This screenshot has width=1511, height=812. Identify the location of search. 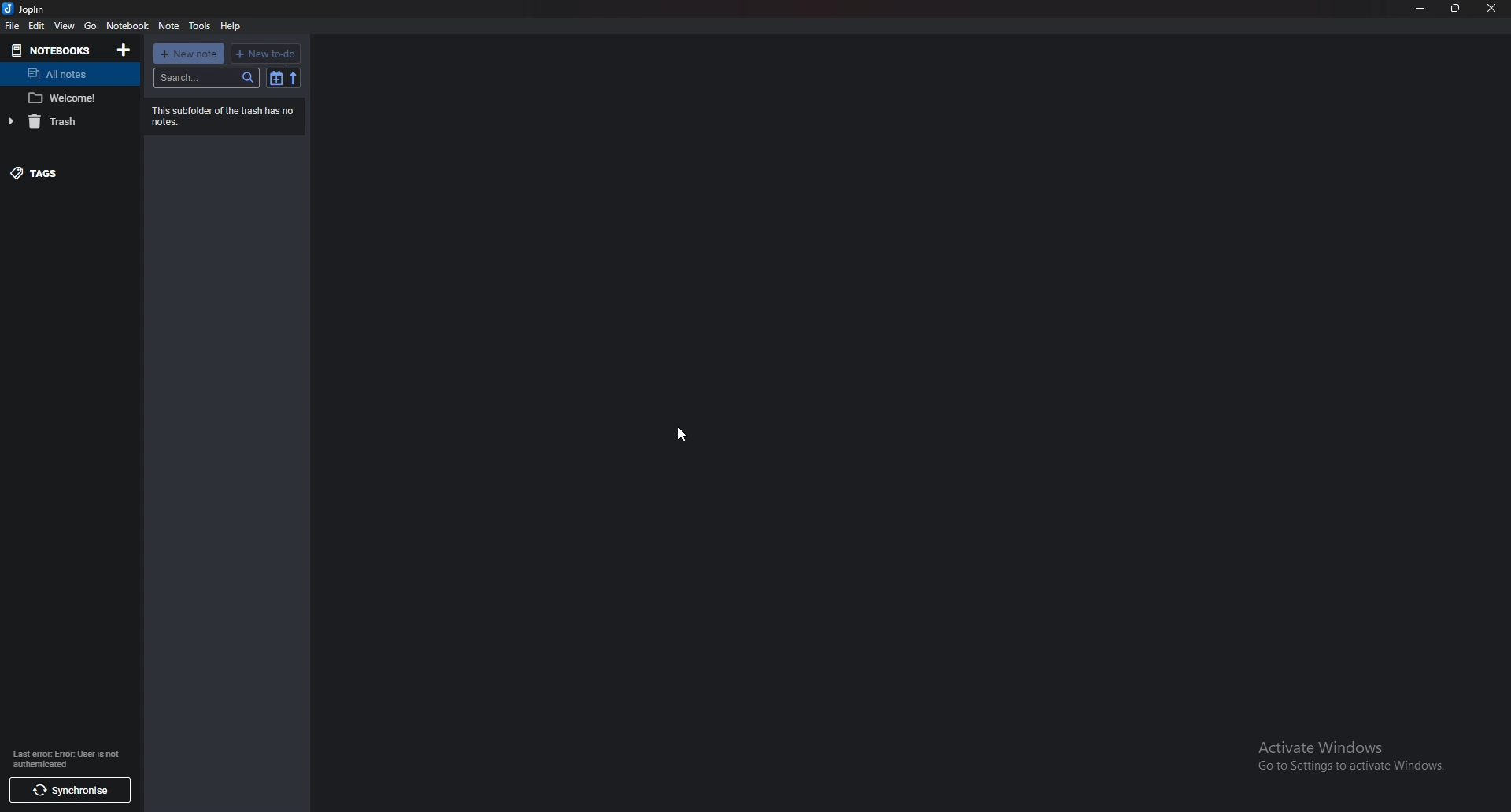
(208, 78).